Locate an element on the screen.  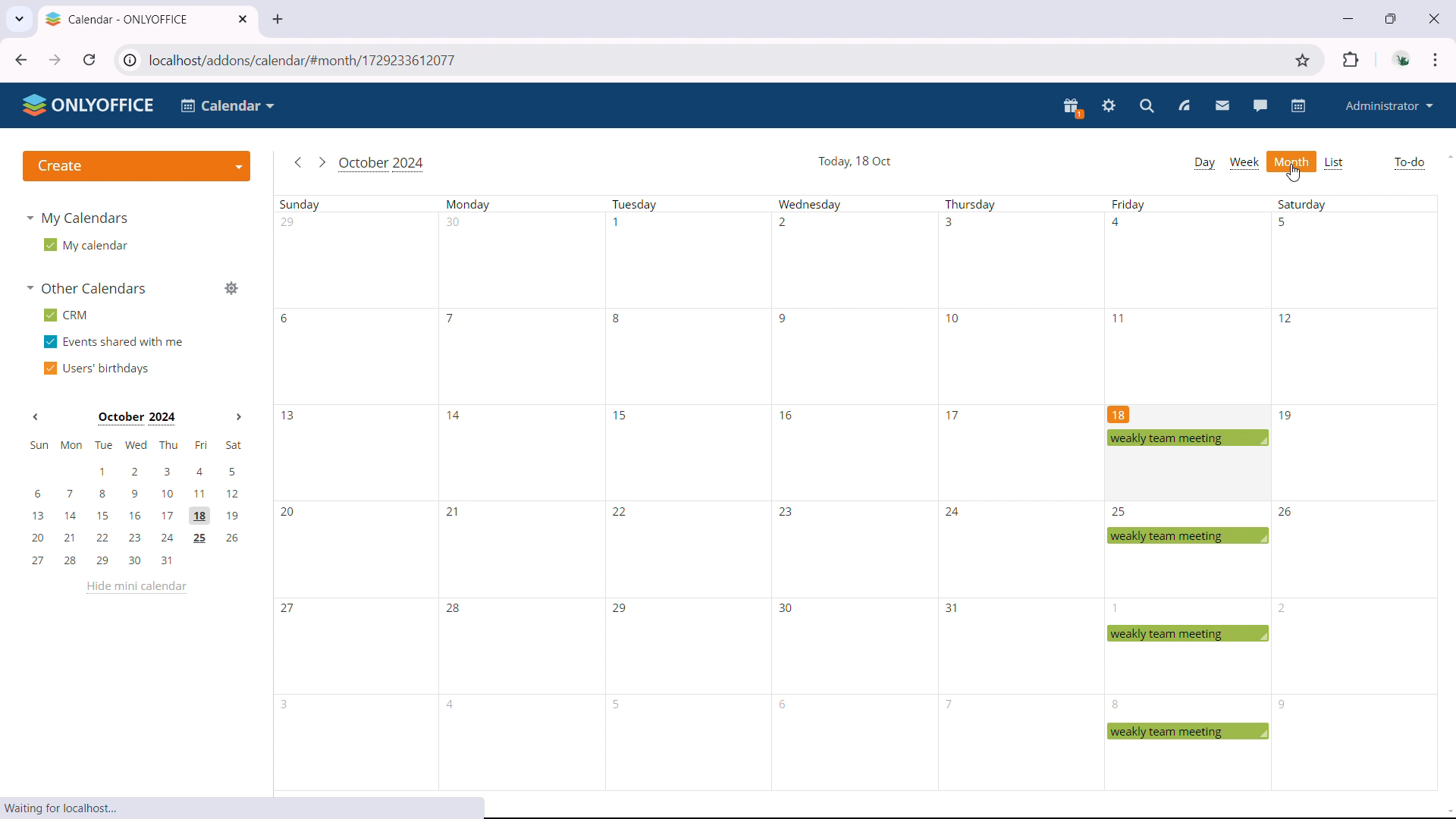
month view selected is located at coordinates (1292, 162).